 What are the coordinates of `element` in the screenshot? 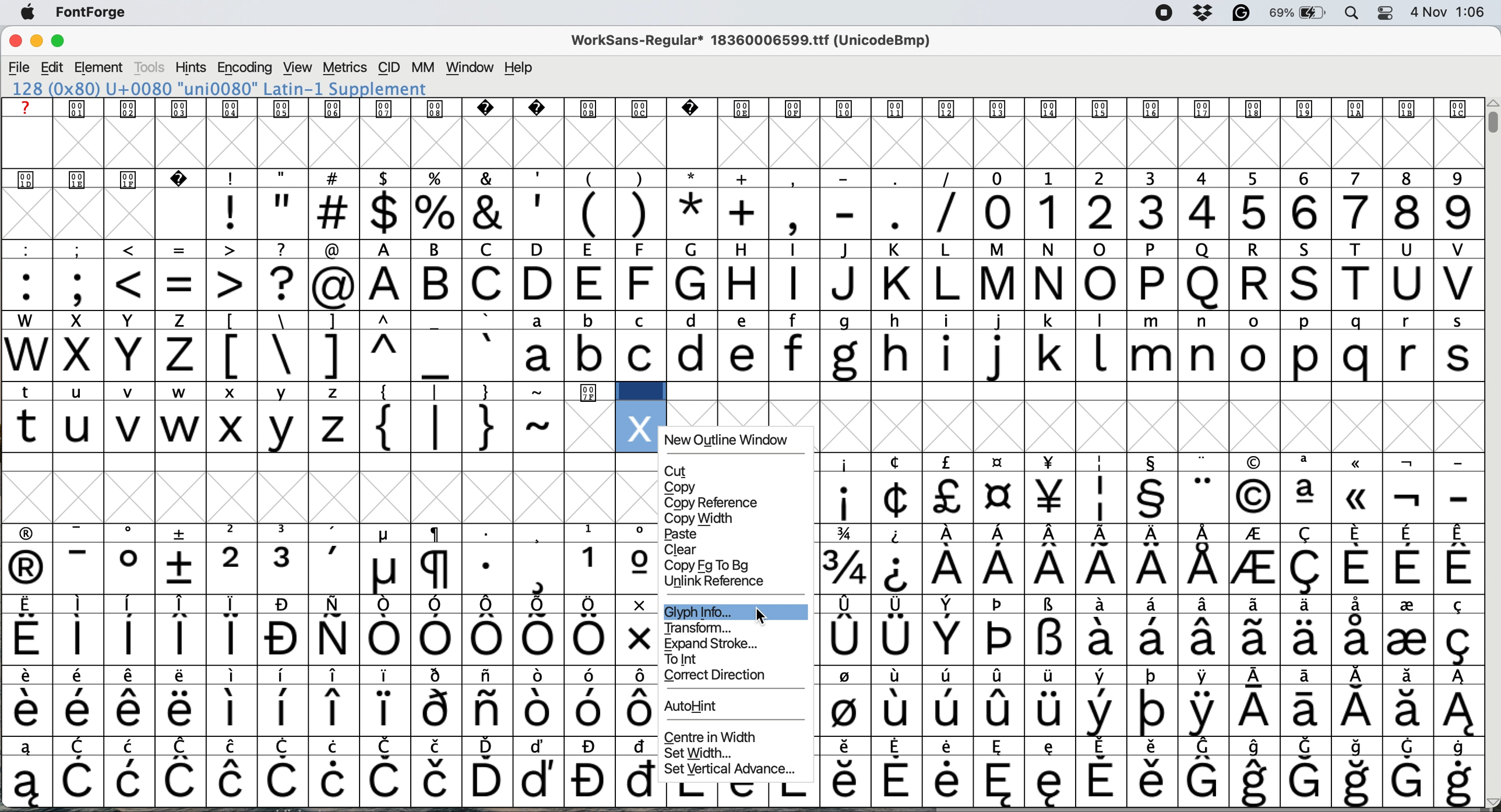 It's located at (101, 68).